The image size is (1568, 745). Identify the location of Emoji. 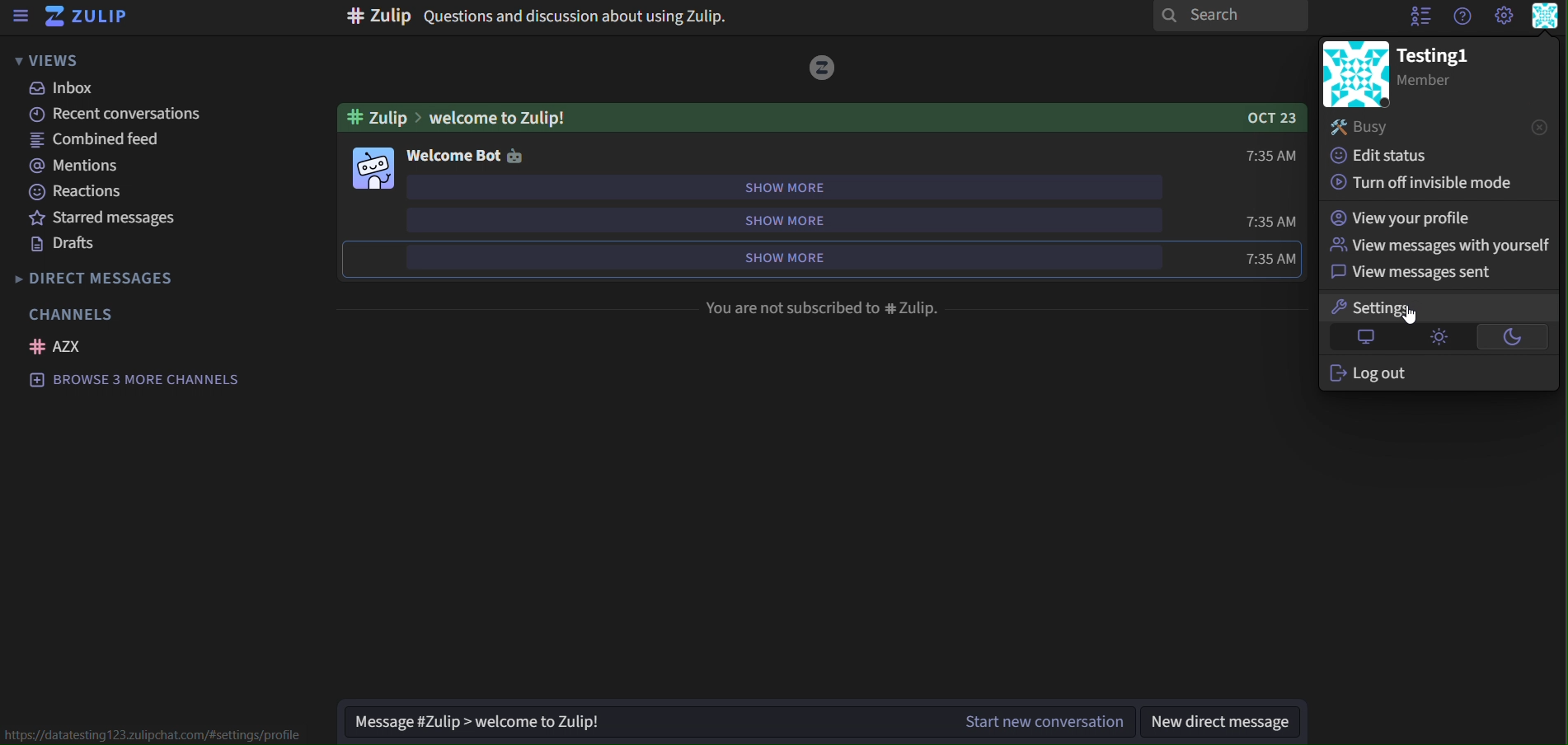
(374, 169).